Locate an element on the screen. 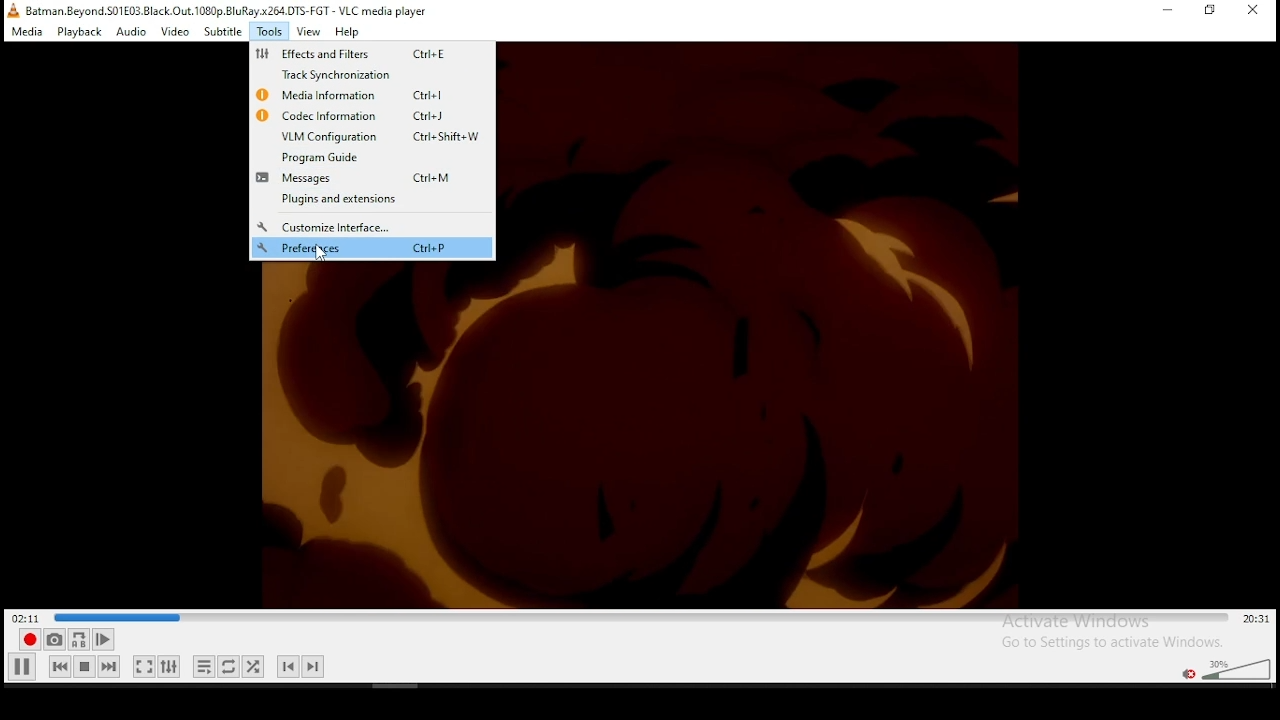  take a snapshot is located at coordinates (54, 639).